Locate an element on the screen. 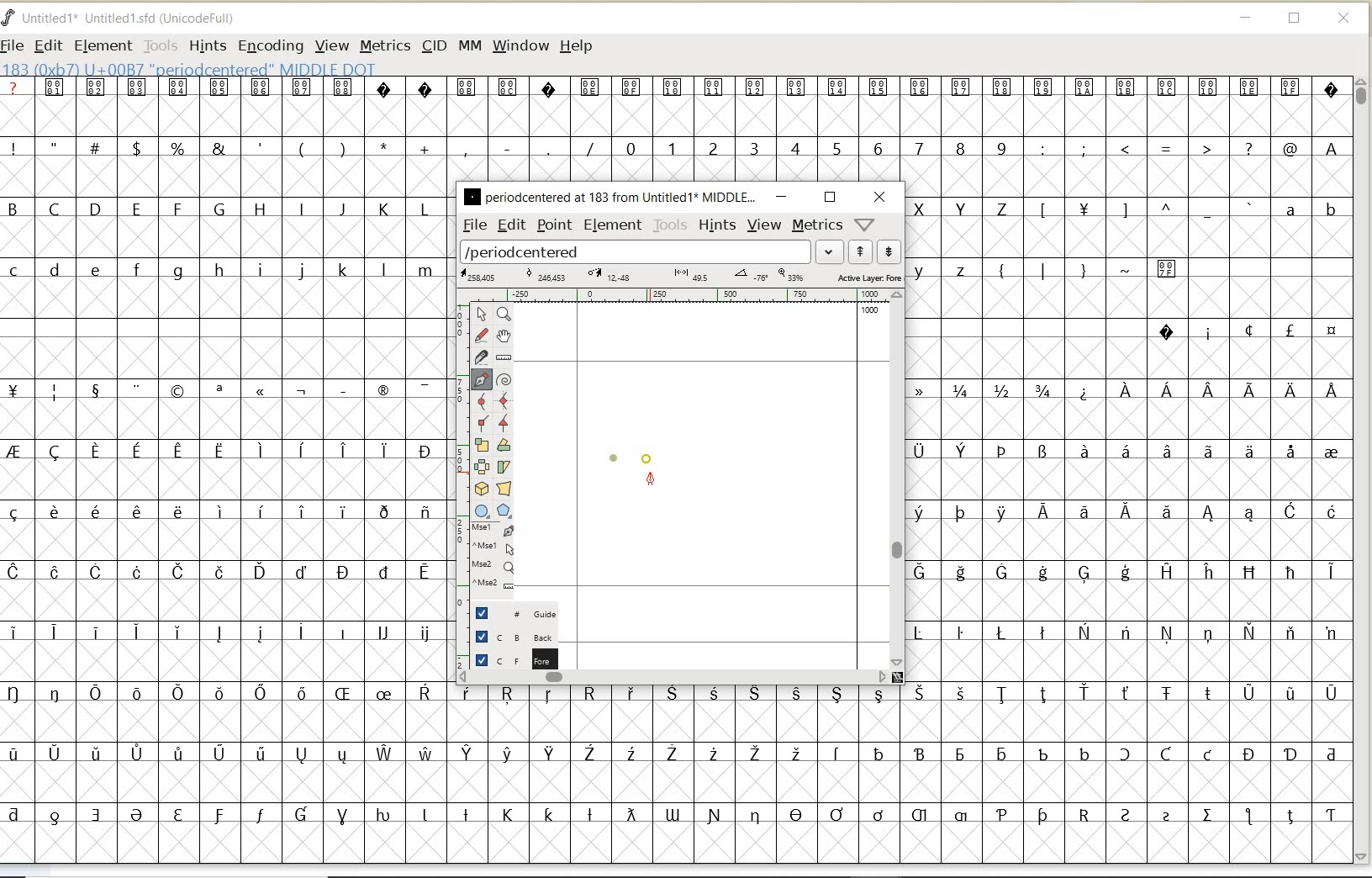 The height and width of the screenshot is (878, 1372). lowercase letters is located at coordinates (1310, 213).